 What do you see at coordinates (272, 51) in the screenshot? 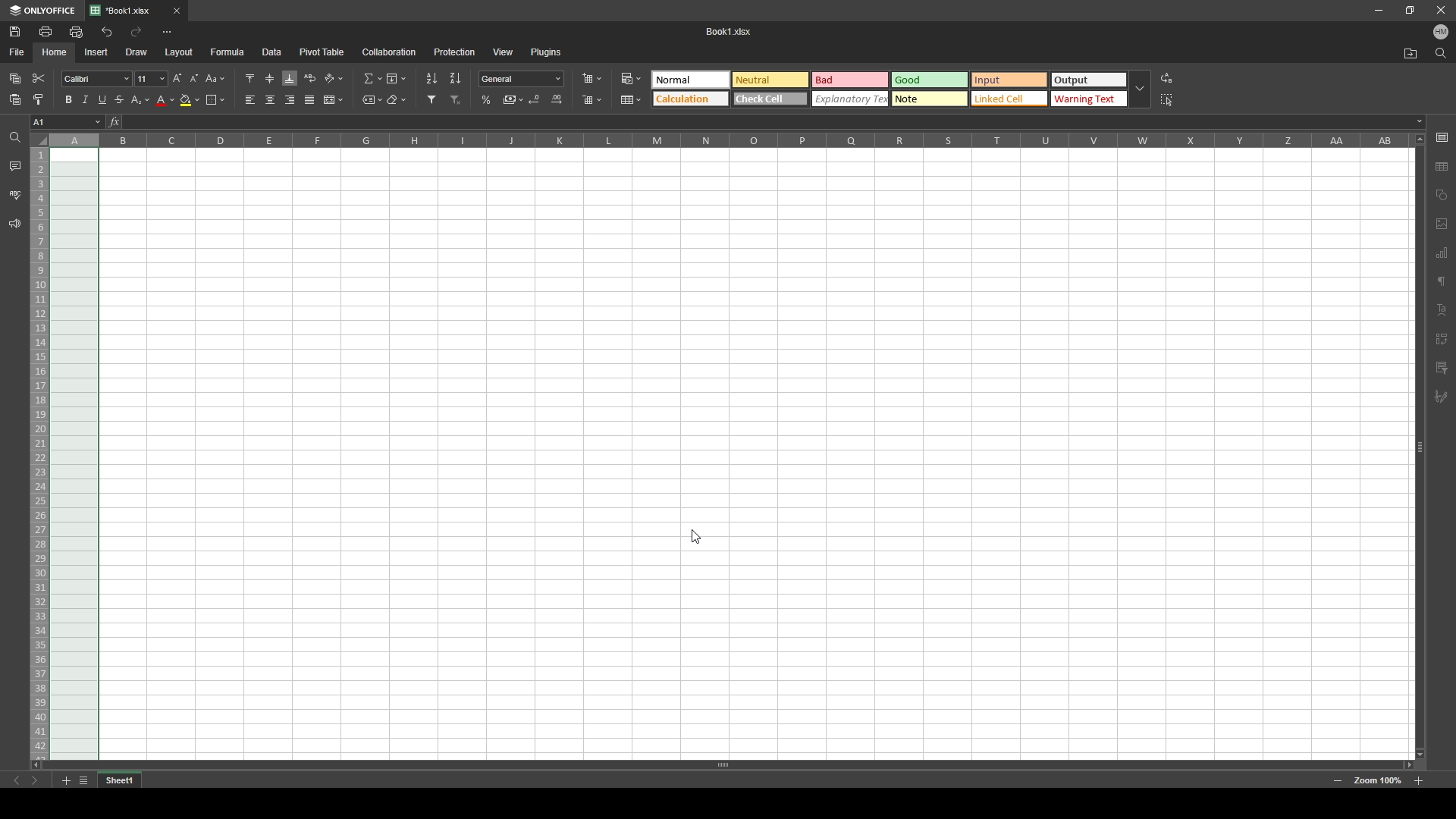
I see `data` at bounding box center [272, 51].